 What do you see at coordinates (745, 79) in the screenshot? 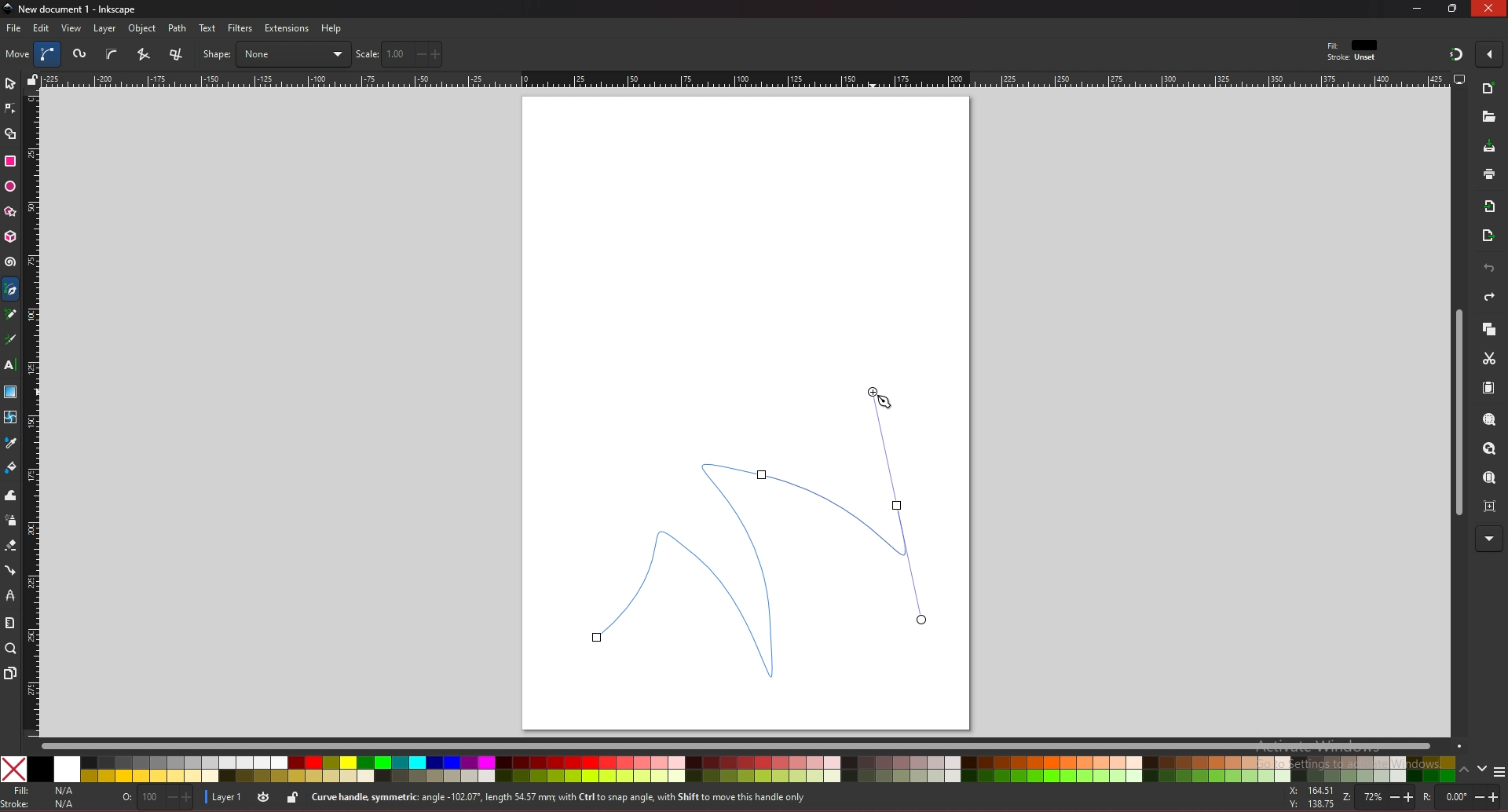
I see `horizontal rule` at bounding box center [745, 79].